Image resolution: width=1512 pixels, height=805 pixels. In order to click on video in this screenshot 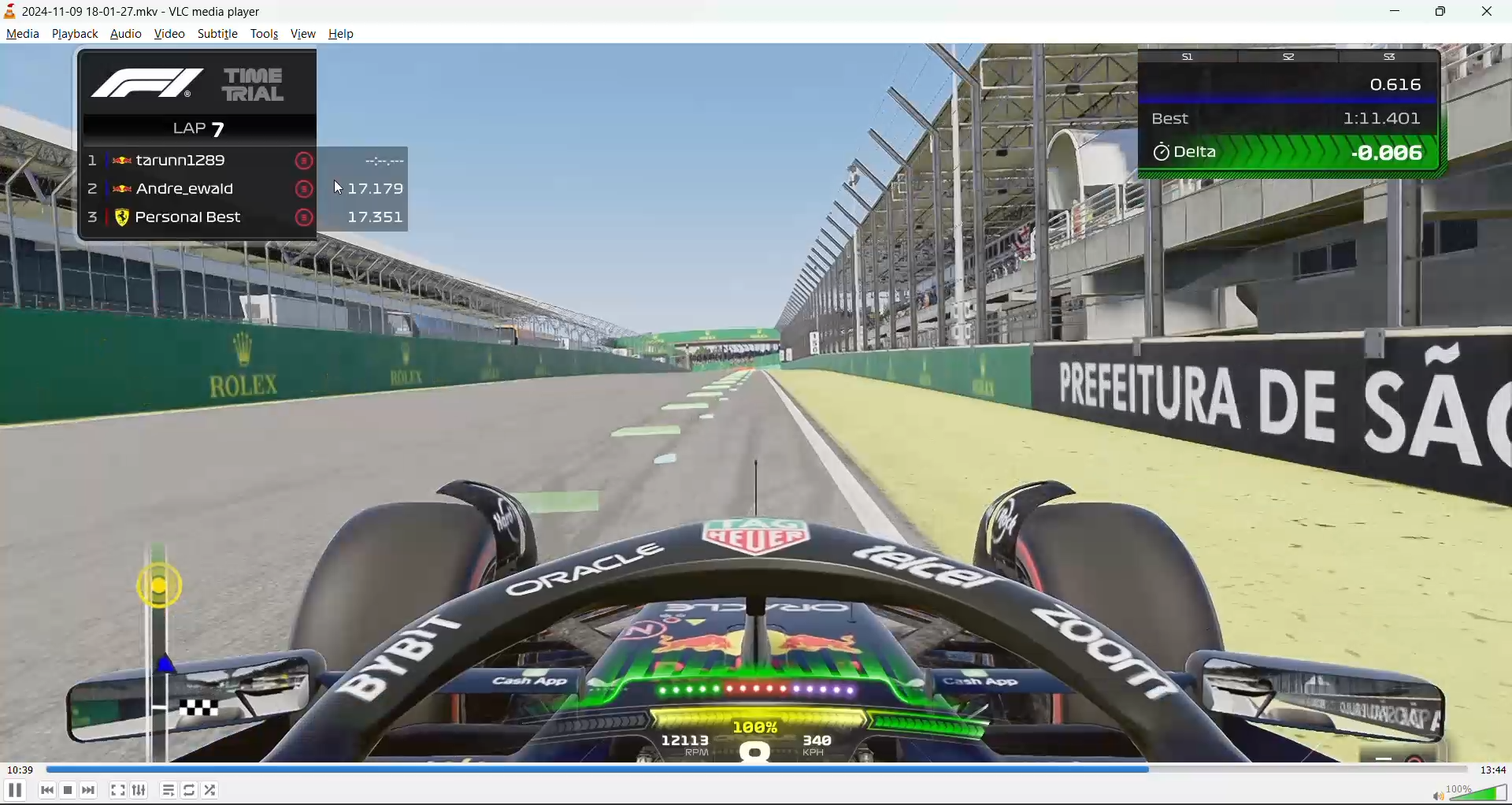, I will do `click(756, 405)`.